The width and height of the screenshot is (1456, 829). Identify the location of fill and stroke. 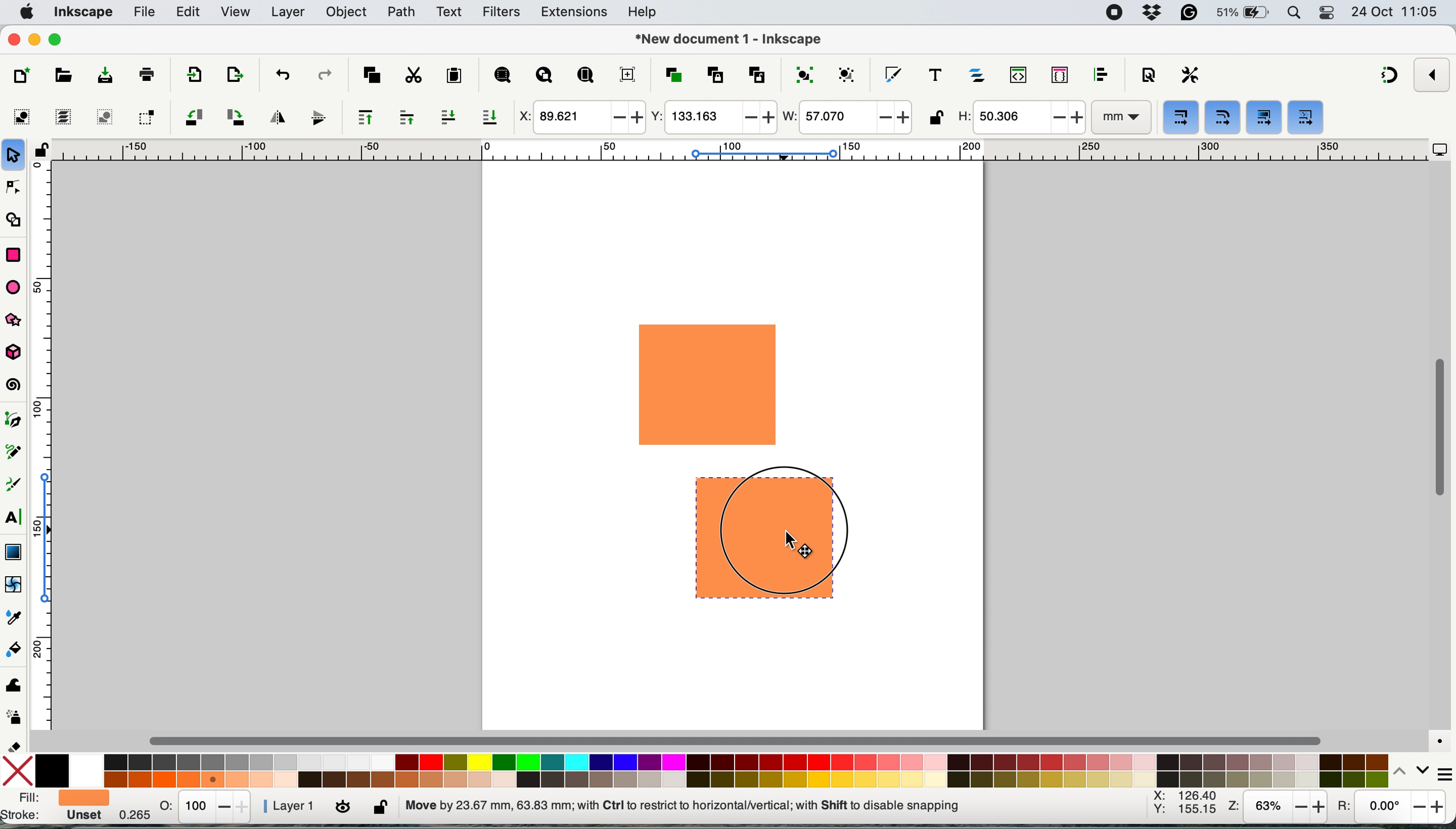
(893, 72).